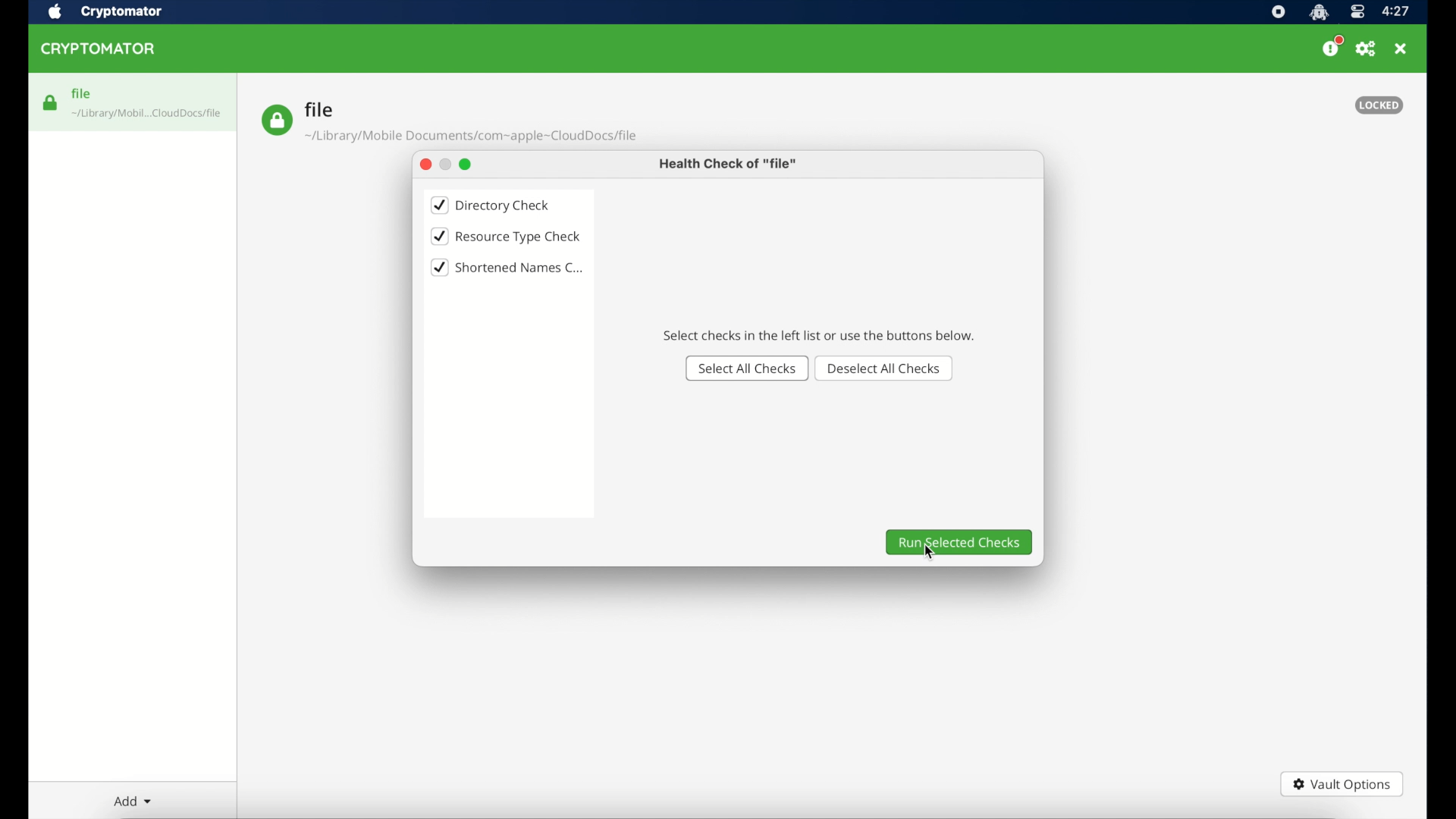 The image size is (1456, 819). I want to click on resource type check, so click(506, 237).